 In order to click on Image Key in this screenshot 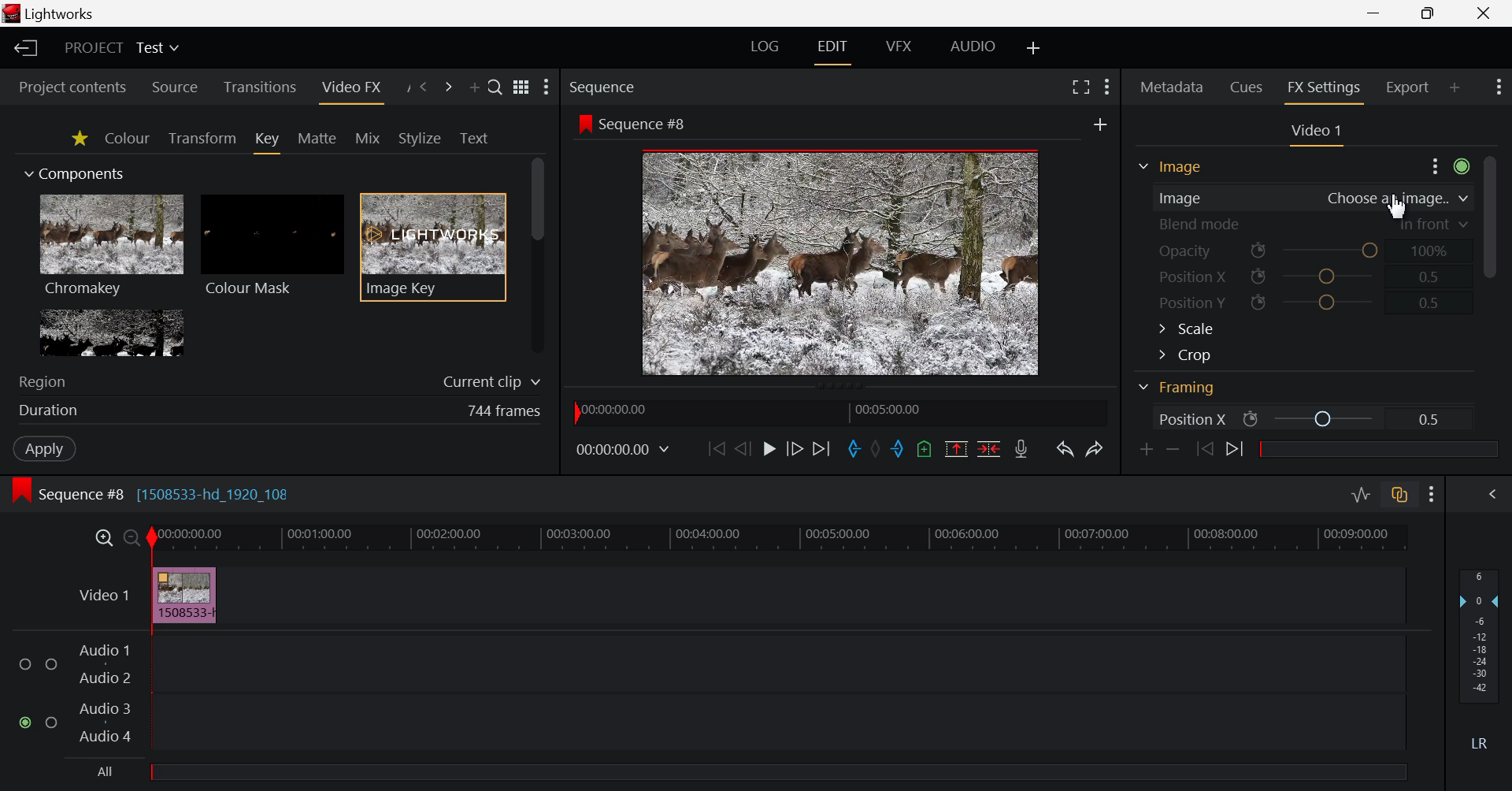, I will do `click(433, 246)`.